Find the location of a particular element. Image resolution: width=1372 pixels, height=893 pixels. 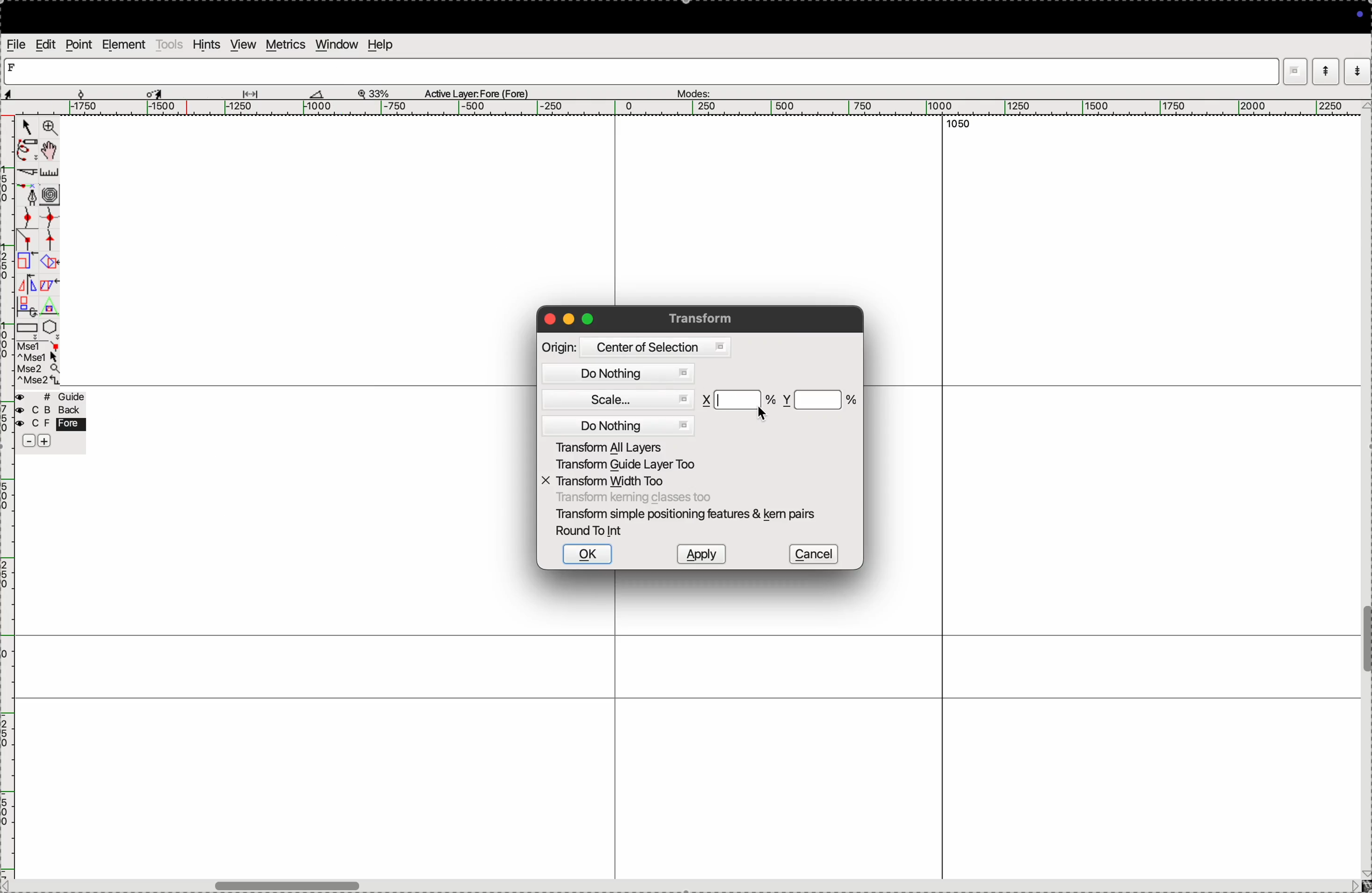

trabsform guide layers is located at coordinates (624, 464).